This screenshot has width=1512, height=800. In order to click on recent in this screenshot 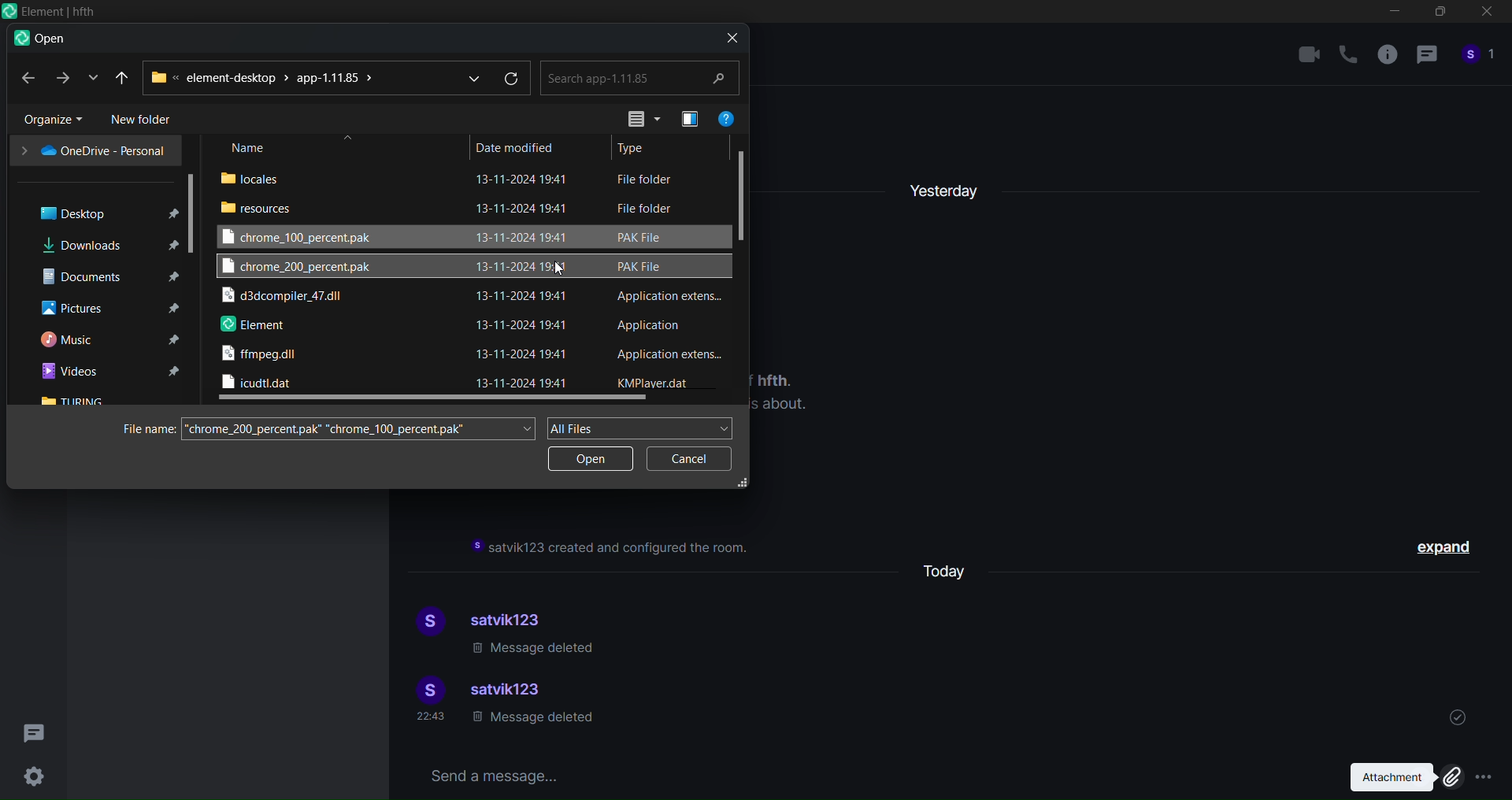, I will do `click(124, 76)`.